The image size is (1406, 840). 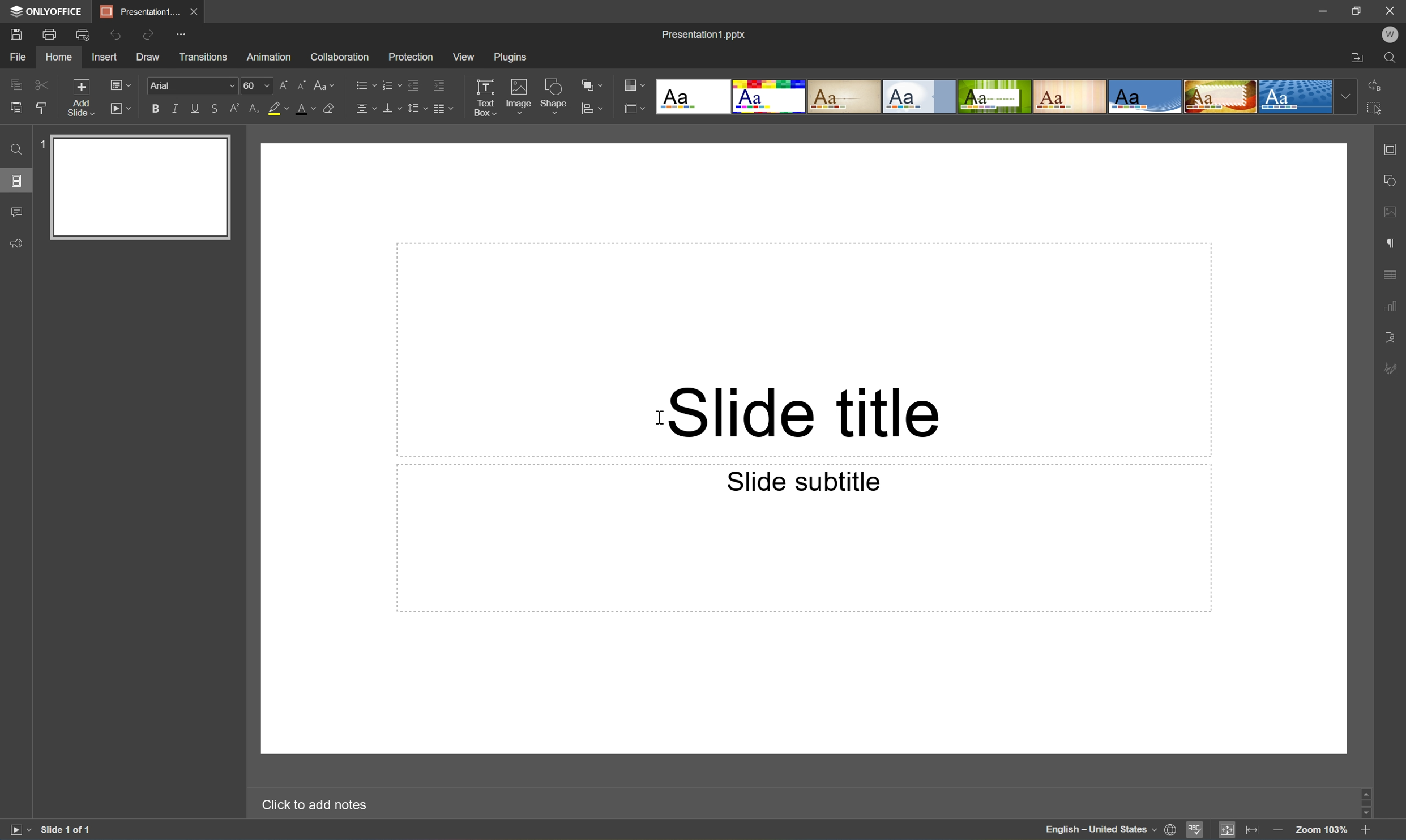 I want to click on Customize quick access toolbar, so click(x=181, y=36).